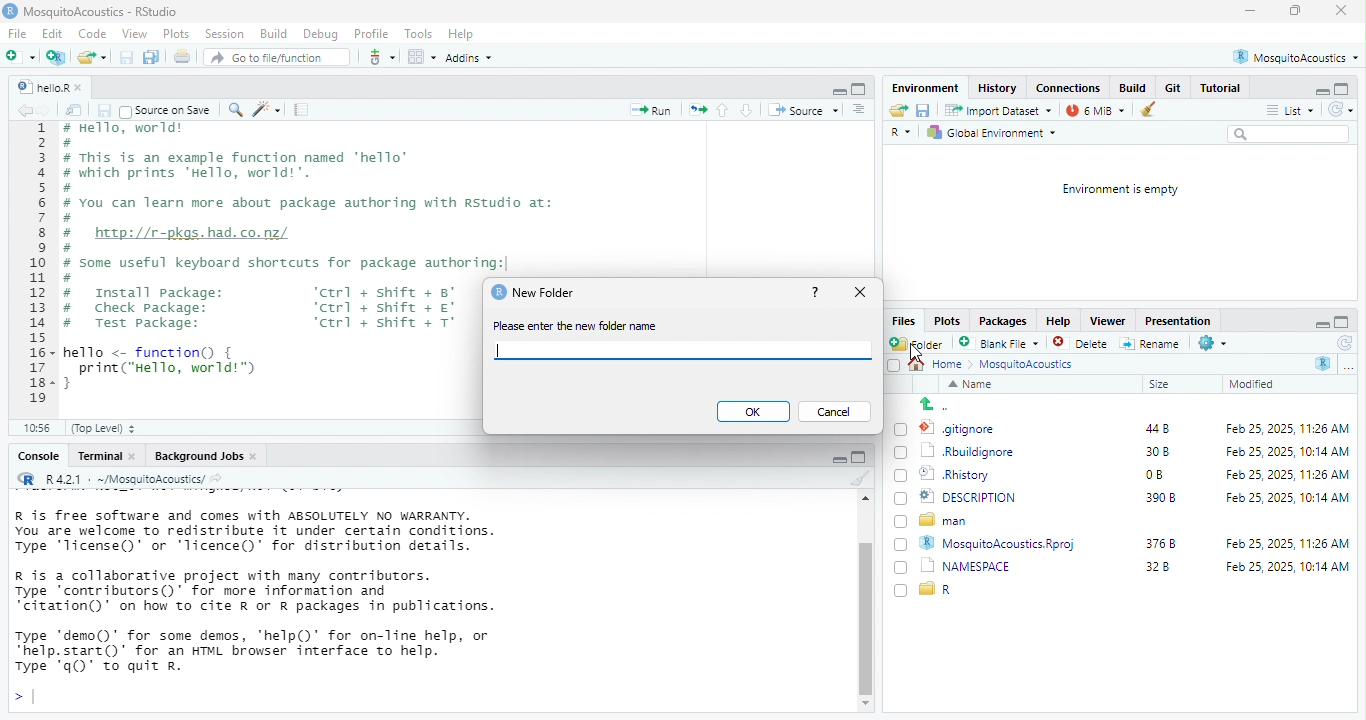 The width and height of the screenshot is (1366, 720). Describe the element at coordinates (946, 590) in the screenshot. I see `r` at that location.